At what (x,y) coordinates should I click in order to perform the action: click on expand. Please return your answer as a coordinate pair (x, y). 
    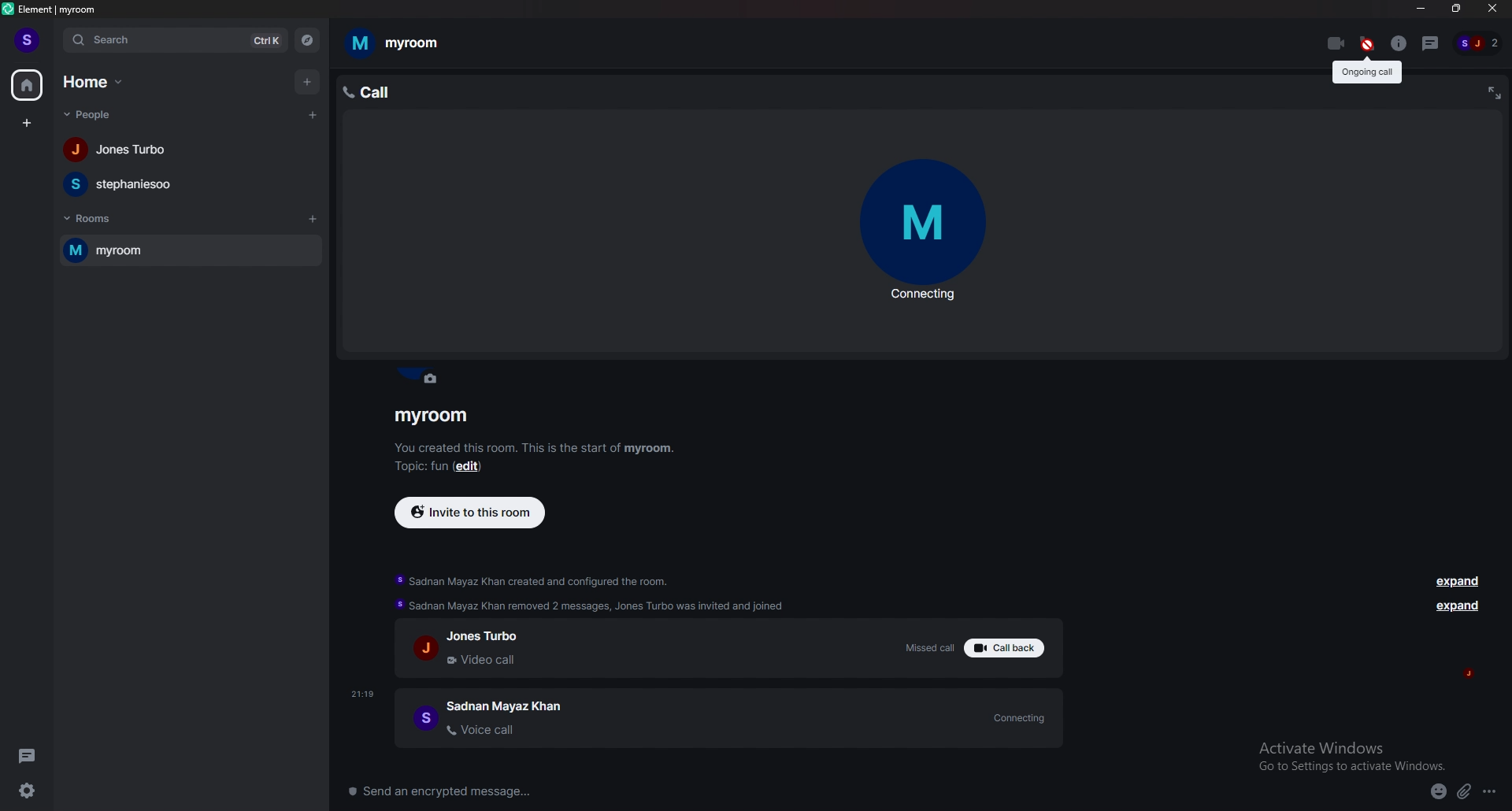
    Looking at the image, I should click on (1458, 582).